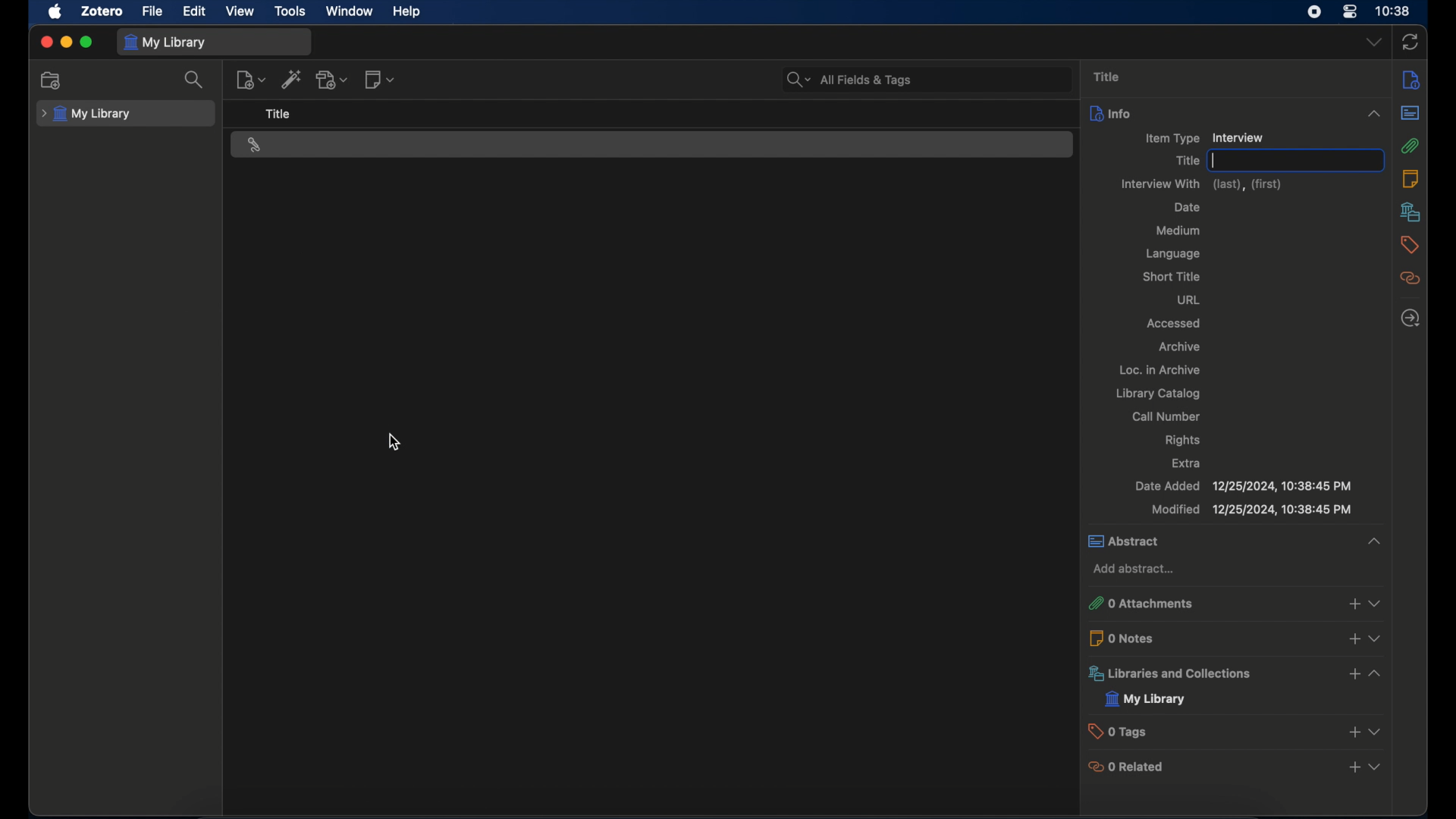 This screenshot has height=819, width=1456. I want to click on new note, so click(381, 80).